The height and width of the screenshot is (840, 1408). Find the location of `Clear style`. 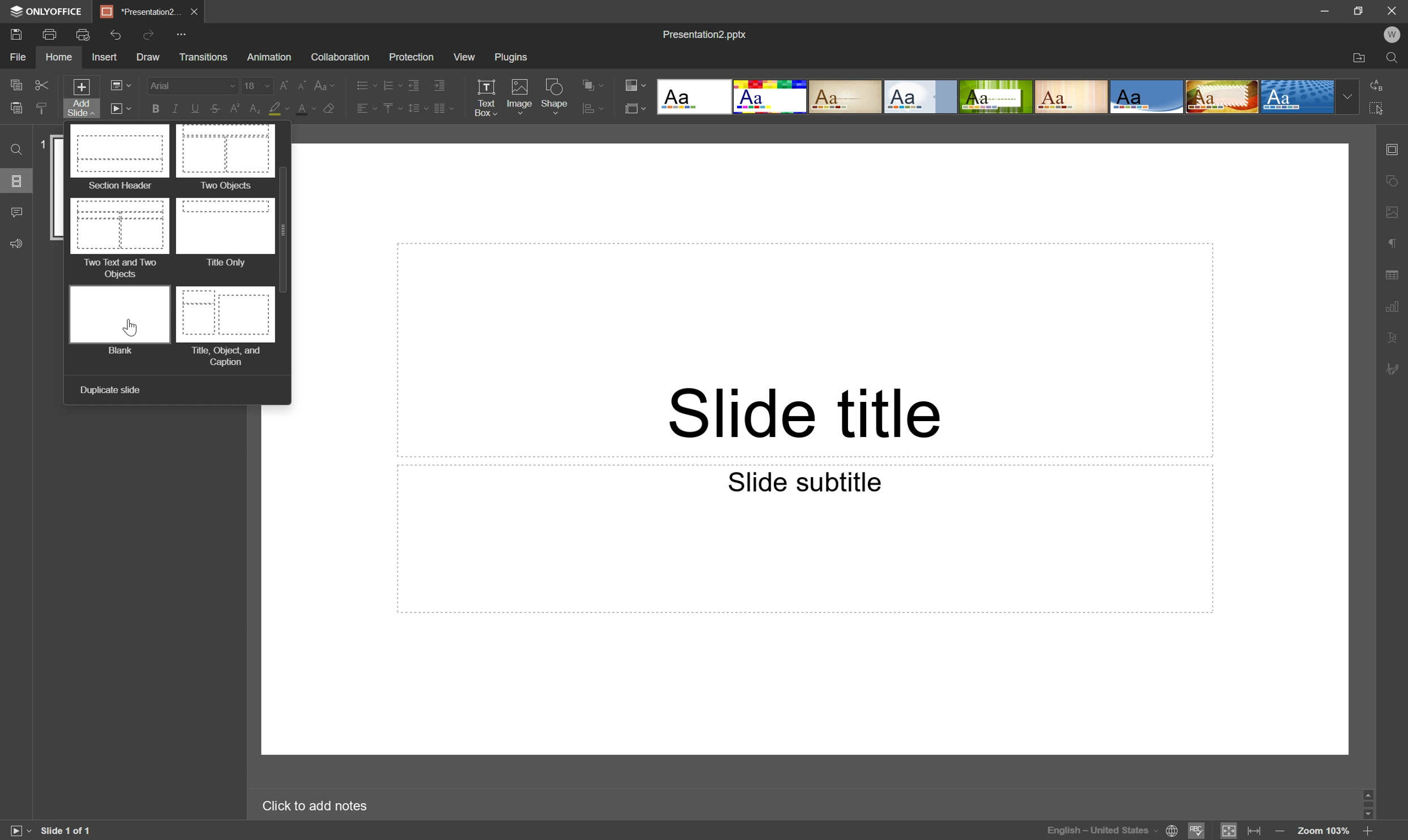

Clear style is located at coordinates (330, 111).